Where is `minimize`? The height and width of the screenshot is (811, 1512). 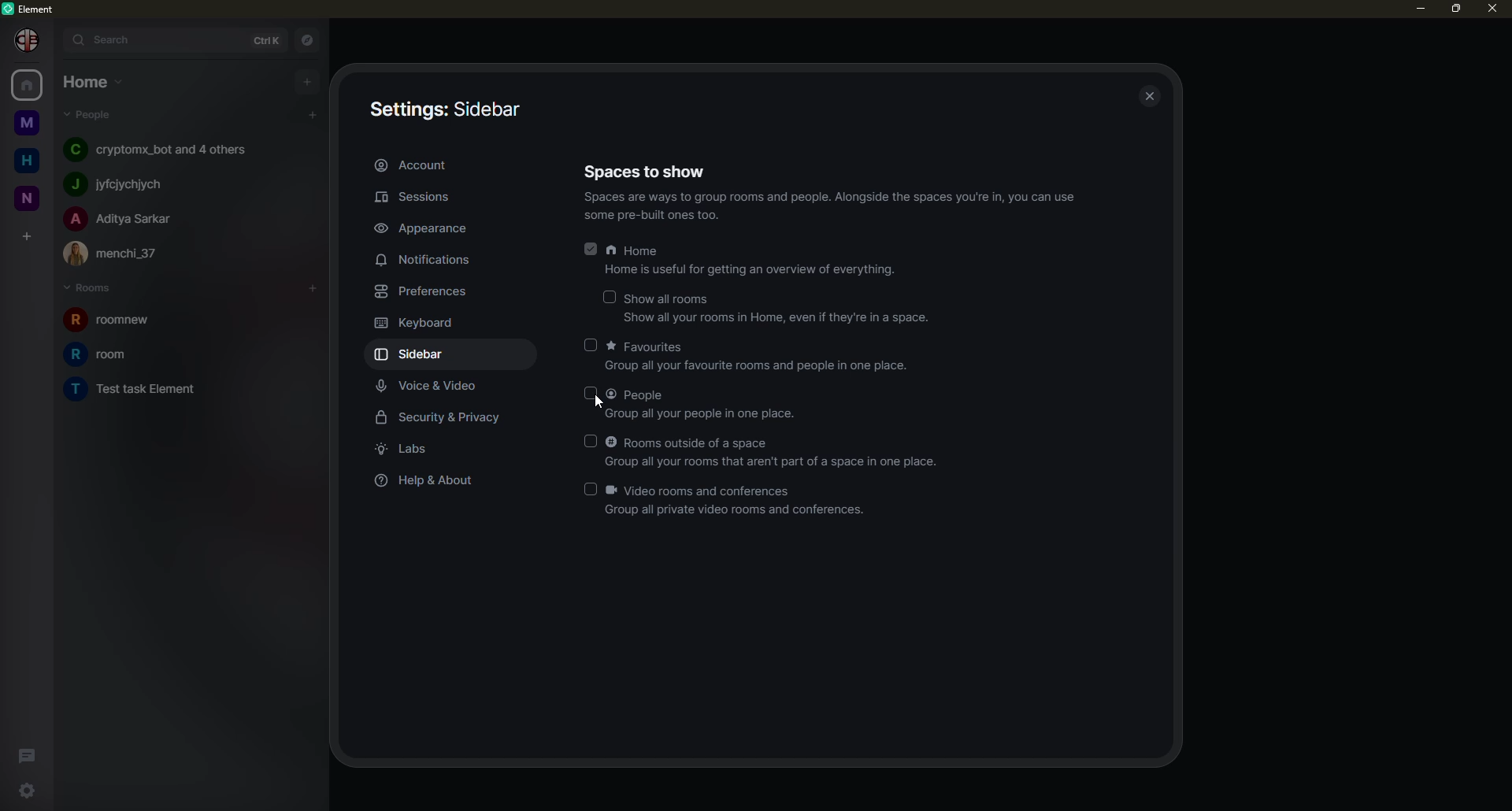
minimize is located at coordinates (1414, 8).